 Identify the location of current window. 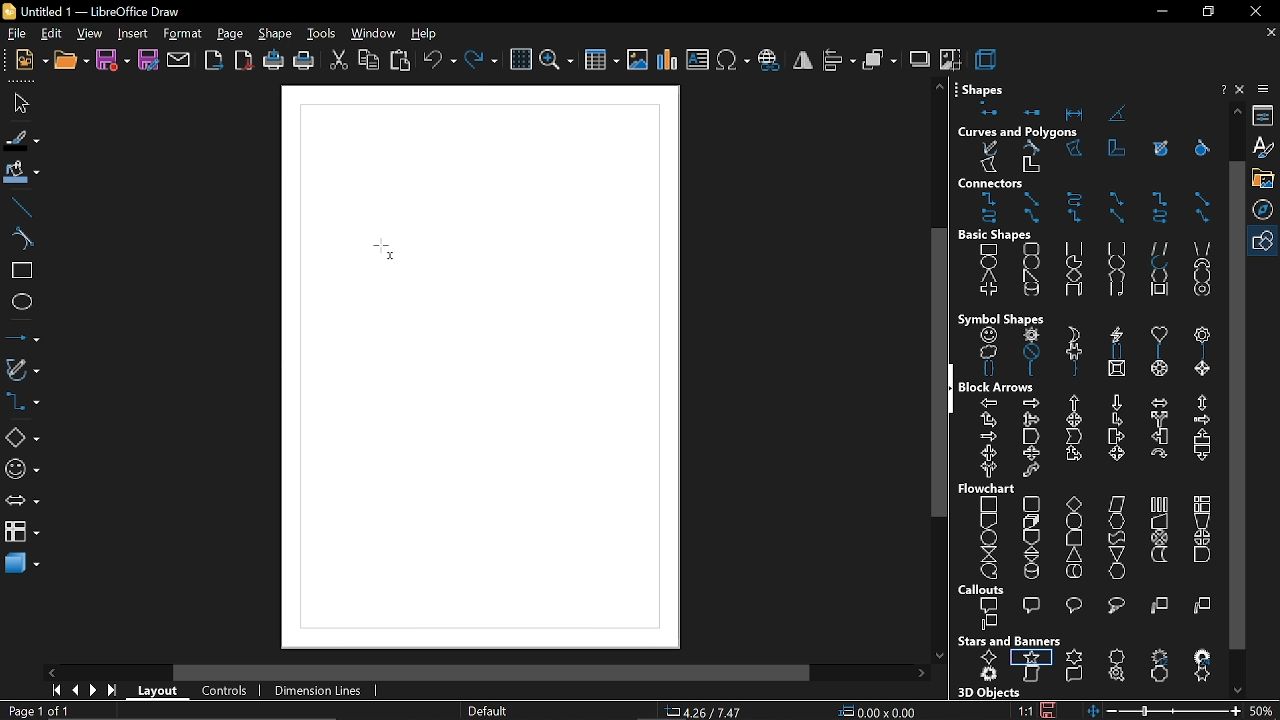
(90, 11).